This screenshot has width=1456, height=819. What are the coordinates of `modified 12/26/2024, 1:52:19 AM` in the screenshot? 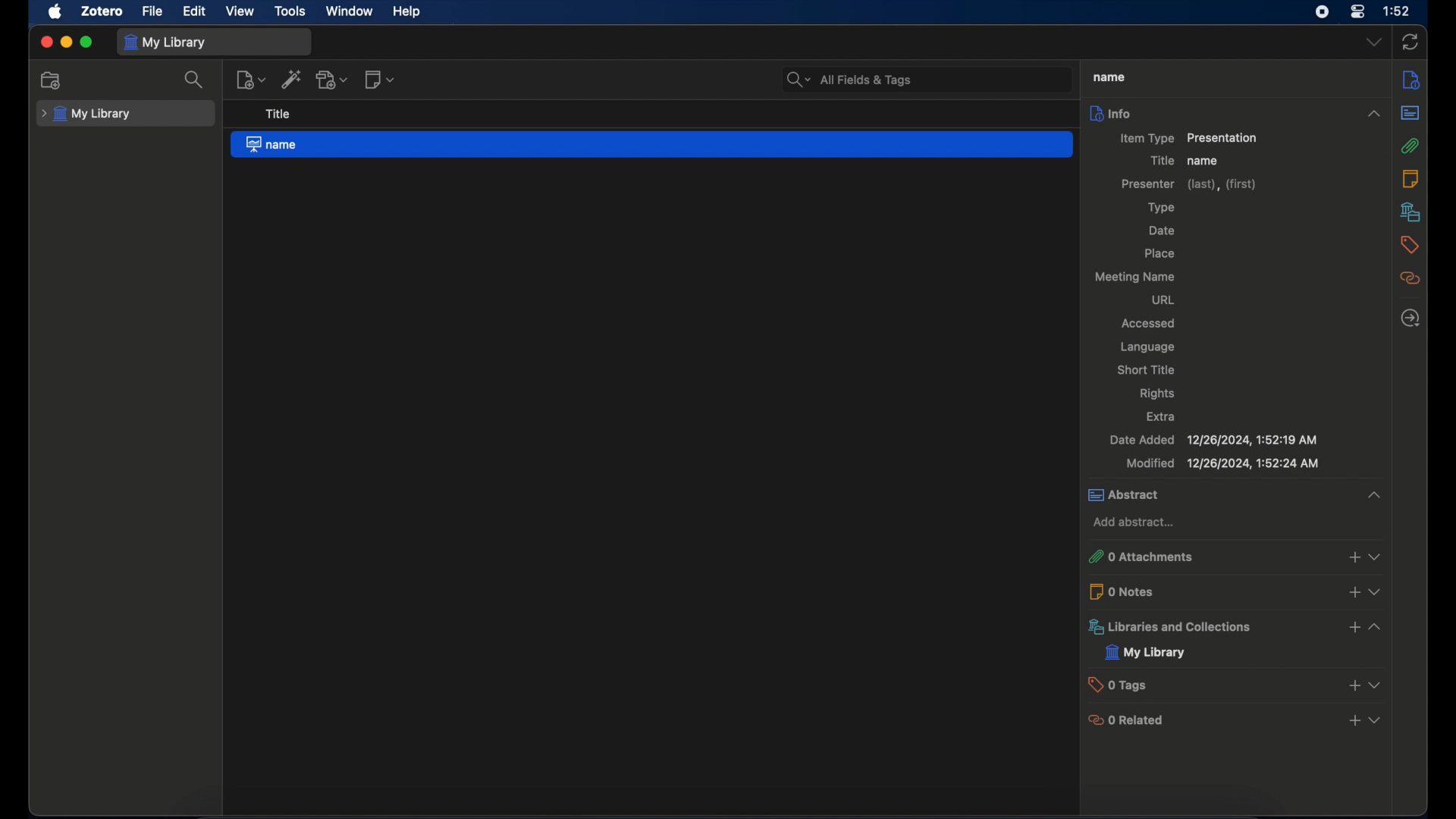 It's located at (1221, 463).